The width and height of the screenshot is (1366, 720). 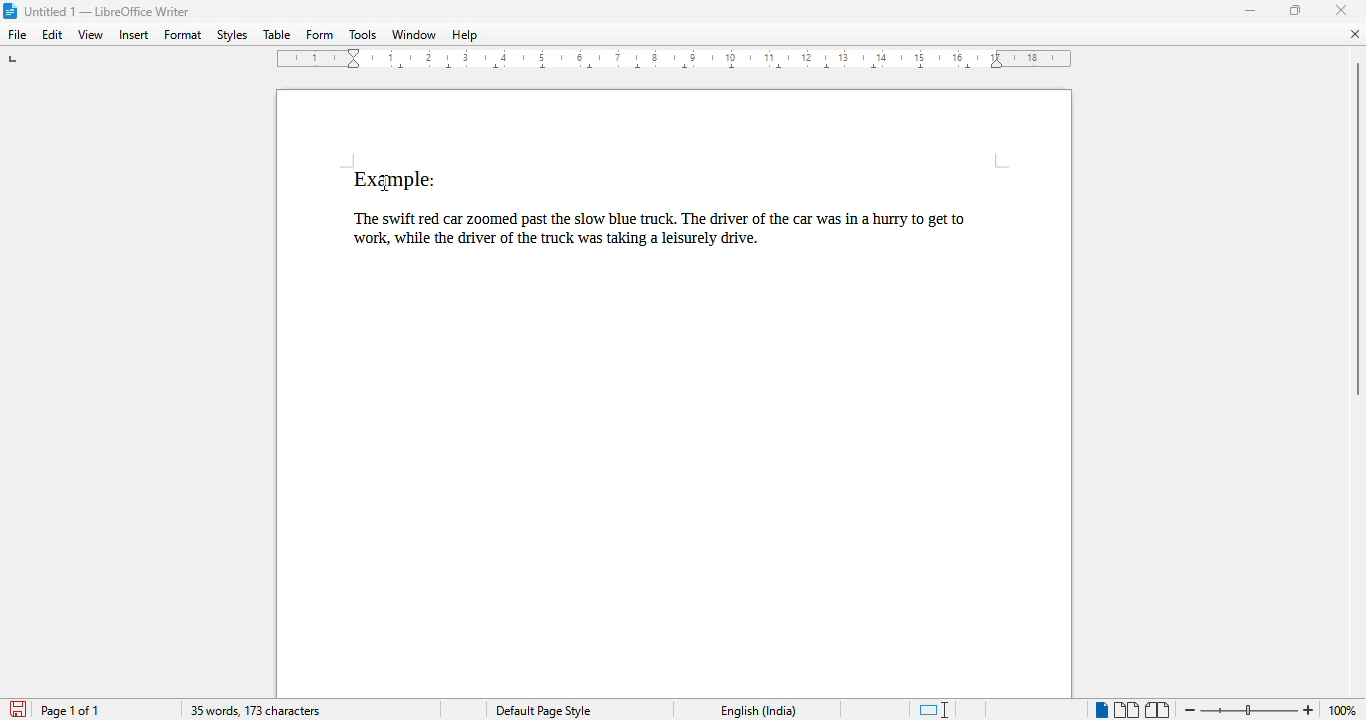 What do you see at coordinates (18, 35) in the screenshot?
I see `file` at bounding box center [18, 35].